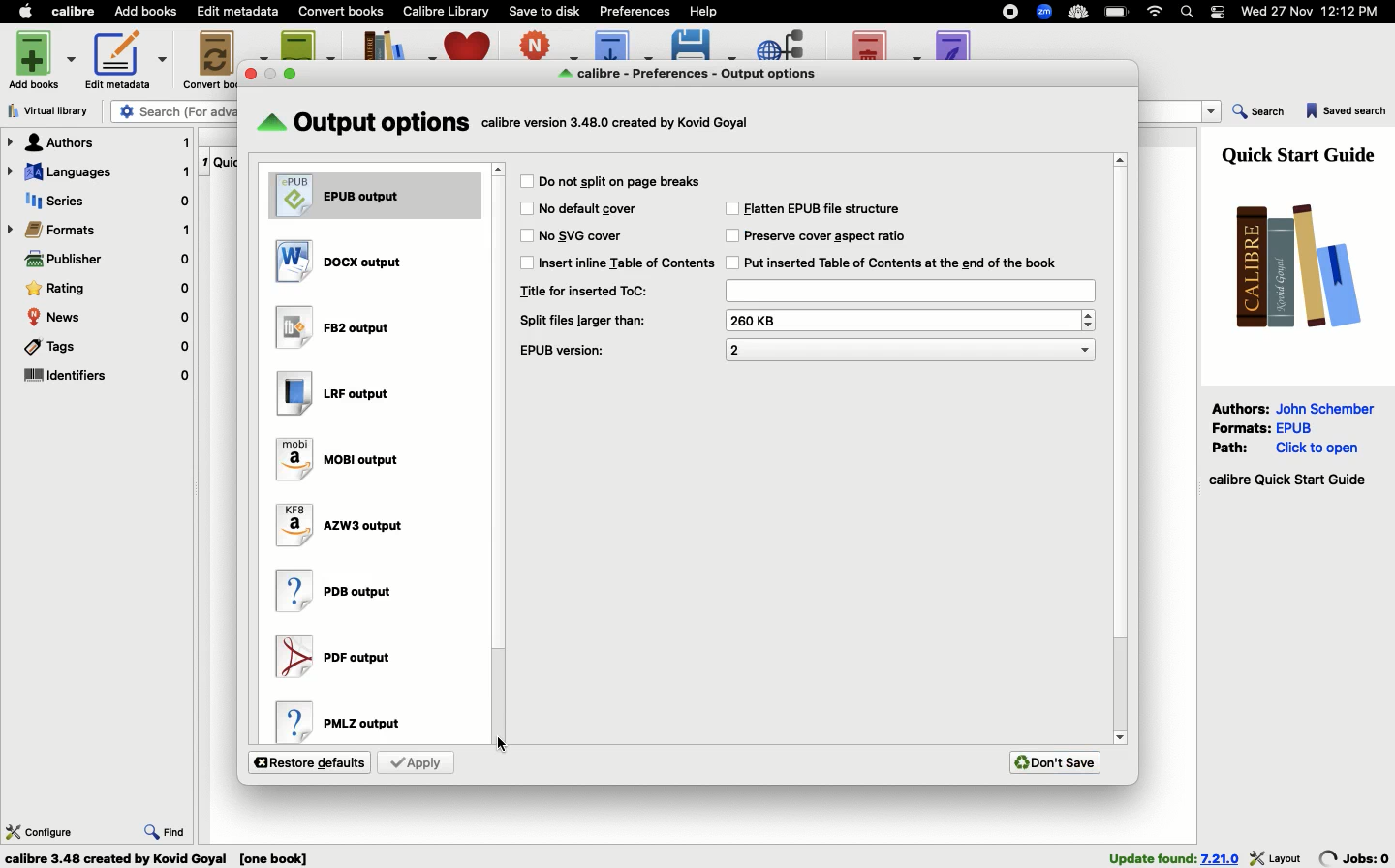  Describe the element at coordinates (99, 142) in the screenshot. I see `Authors` at that location.